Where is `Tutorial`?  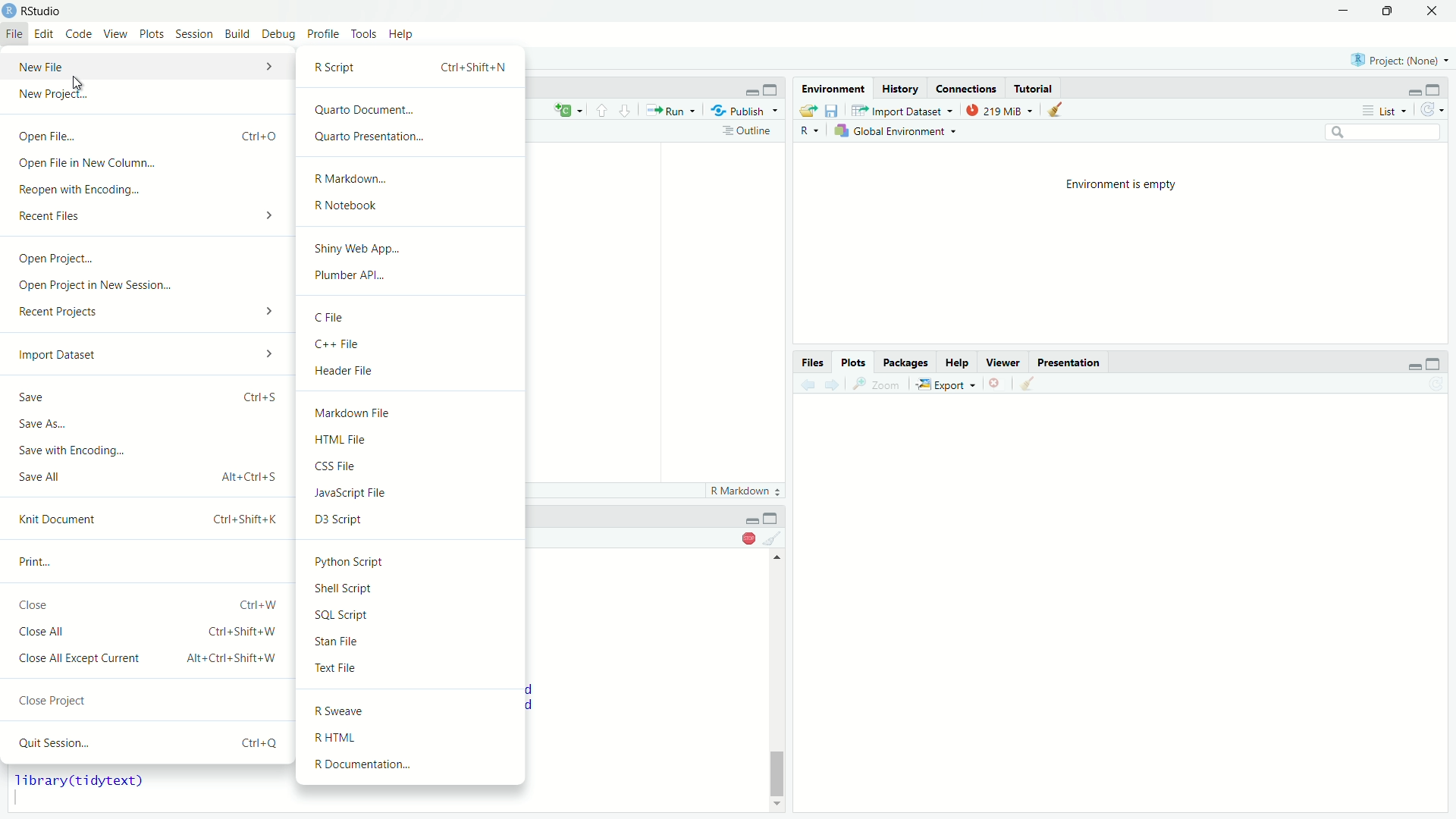 Tutorial is located at coordinates (1034, 89).